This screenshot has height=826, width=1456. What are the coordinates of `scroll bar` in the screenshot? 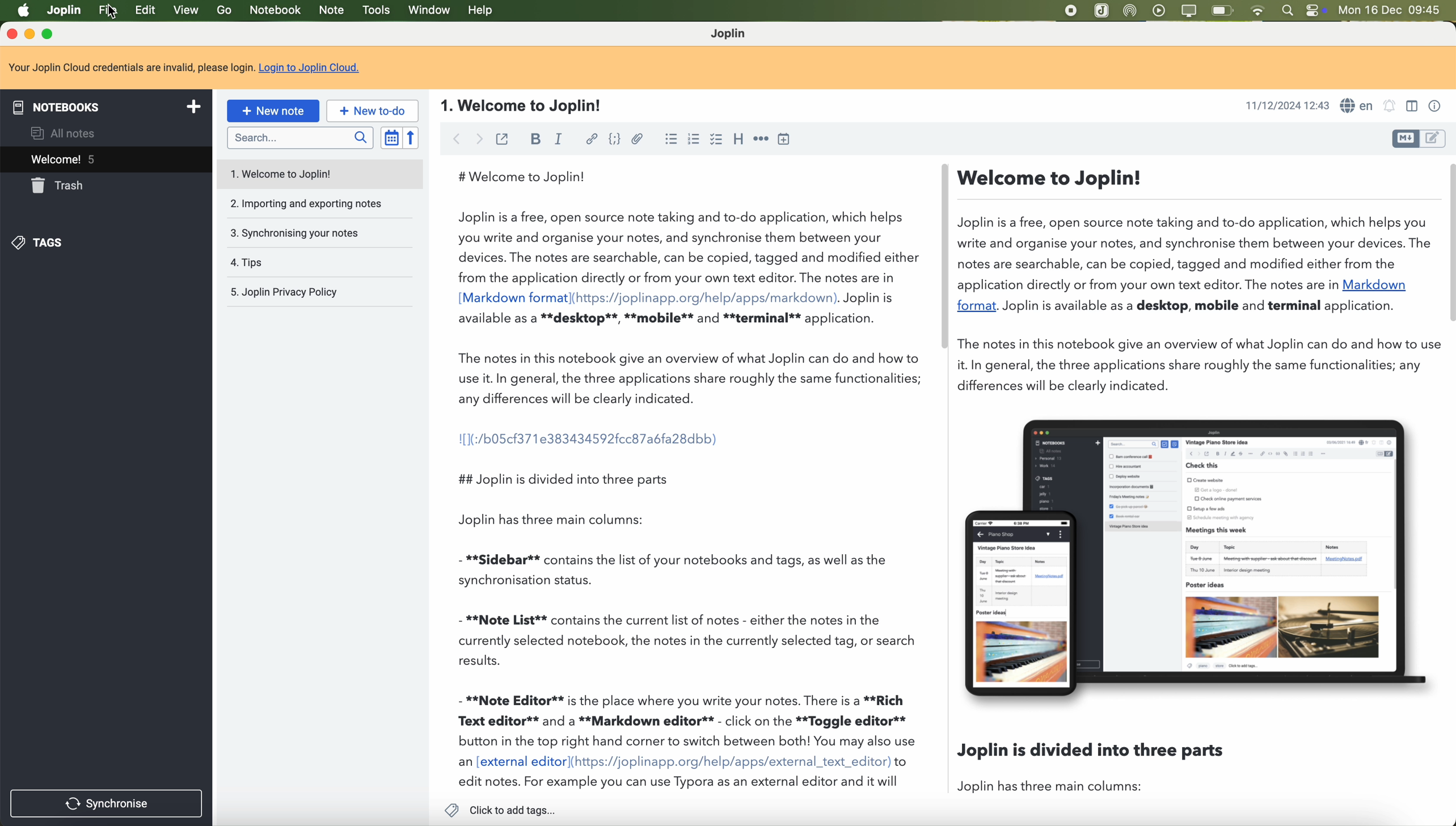 It's located at (942, 256).